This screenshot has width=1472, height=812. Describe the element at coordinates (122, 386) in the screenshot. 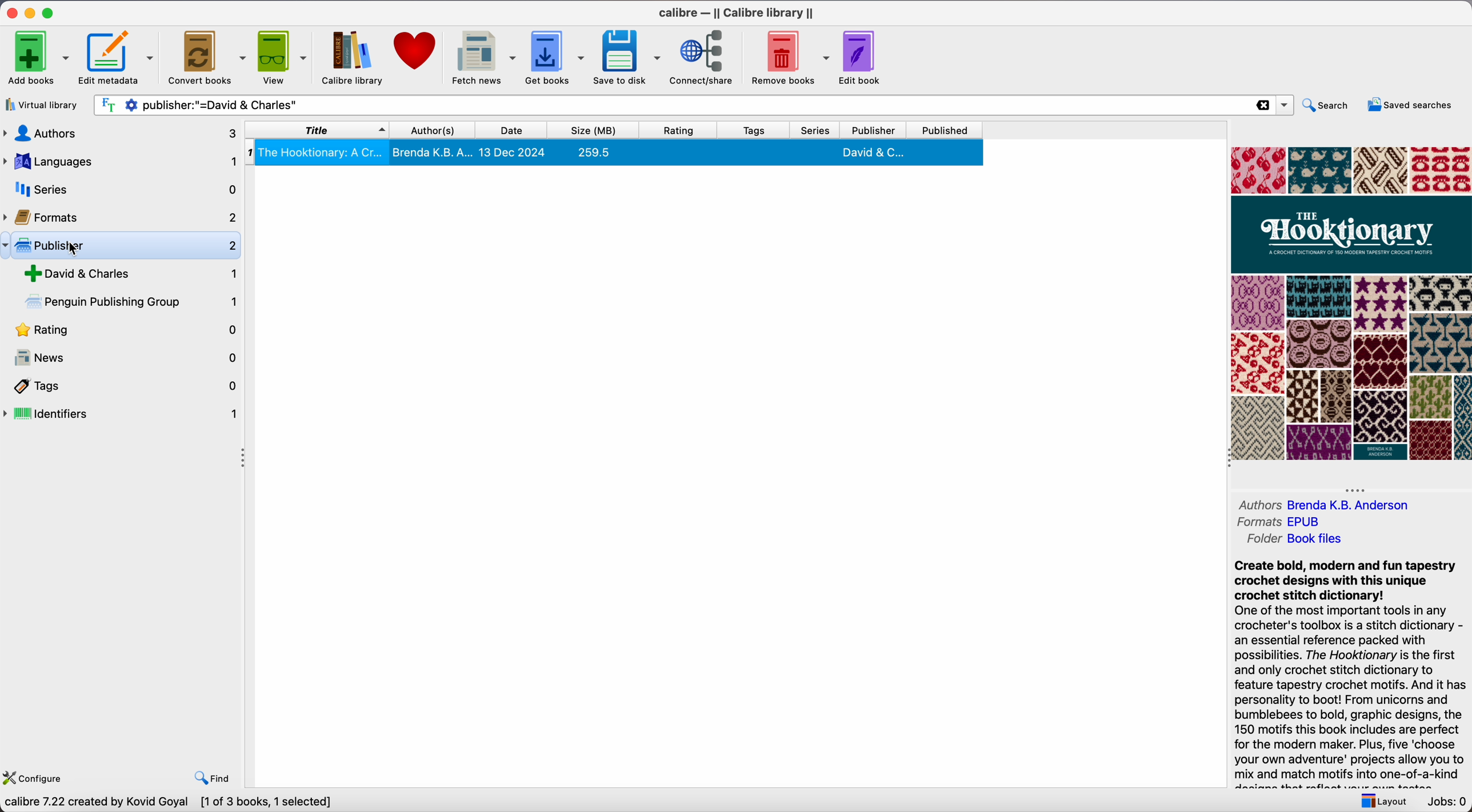

I see `tags` at that location.